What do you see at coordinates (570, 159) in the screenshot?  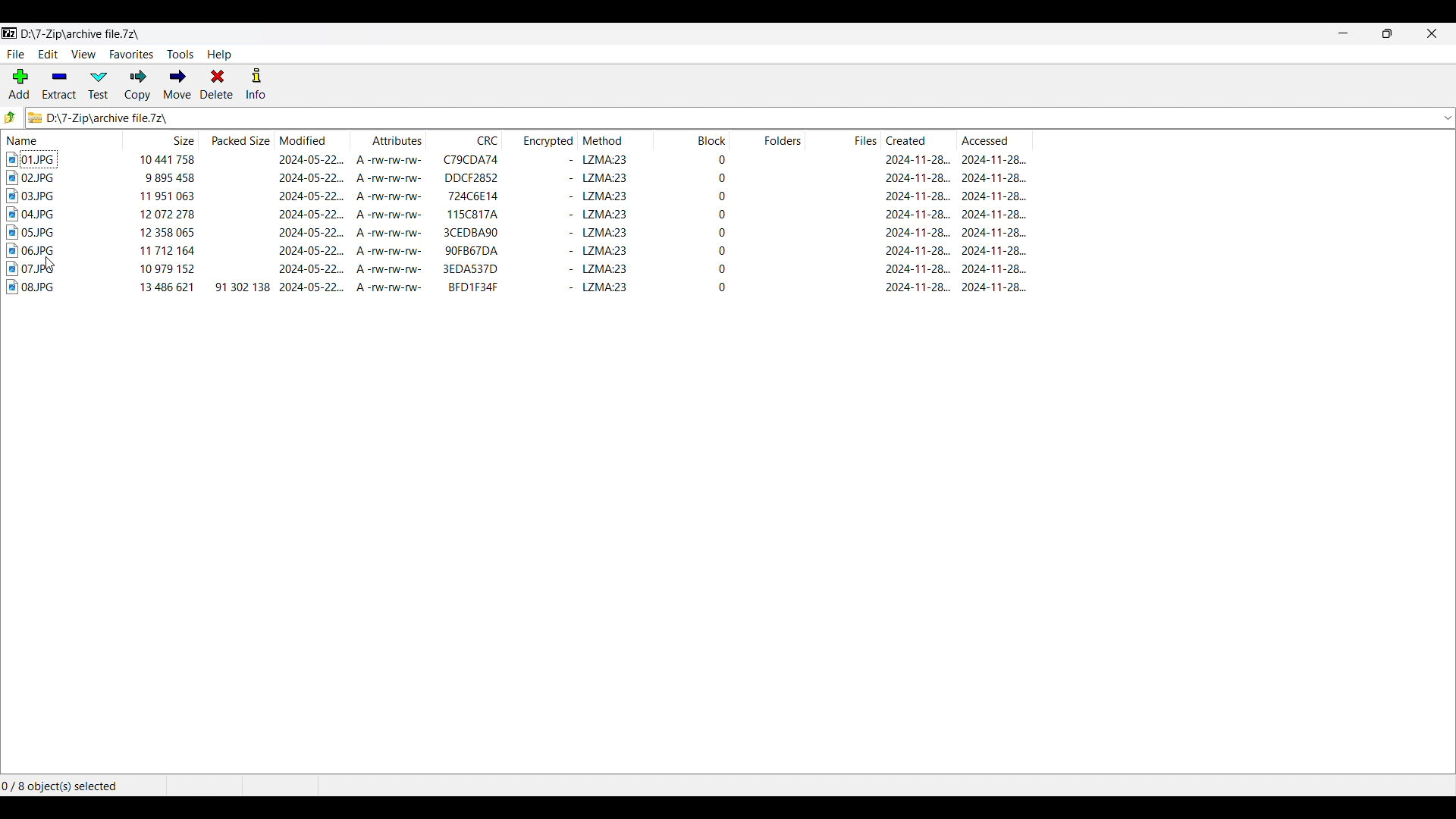 I see `encrypted status` at bounding box center [570, 159].